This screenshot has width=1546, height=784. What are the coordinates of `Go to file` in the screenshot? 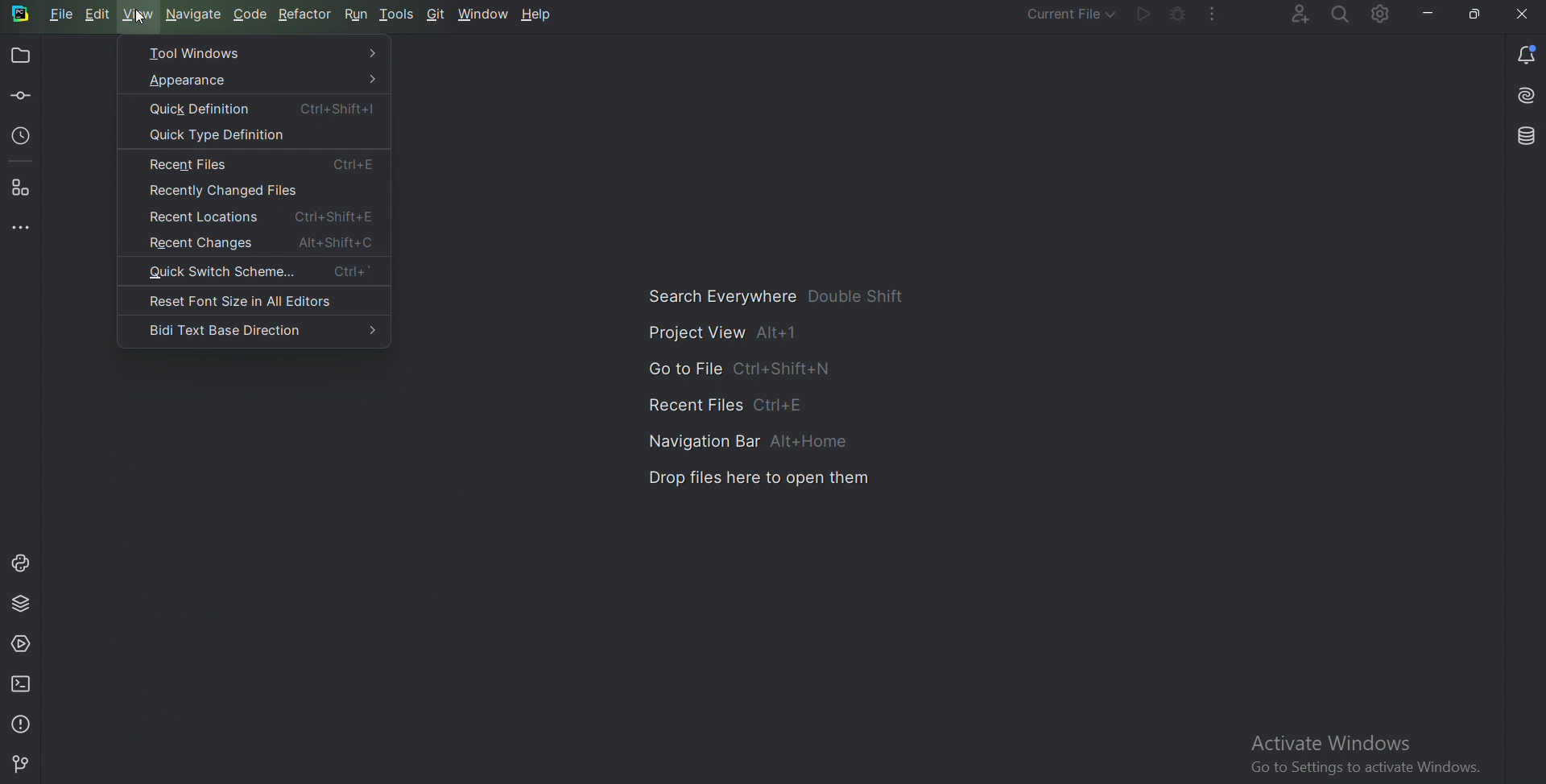 It's located at (734, 367).